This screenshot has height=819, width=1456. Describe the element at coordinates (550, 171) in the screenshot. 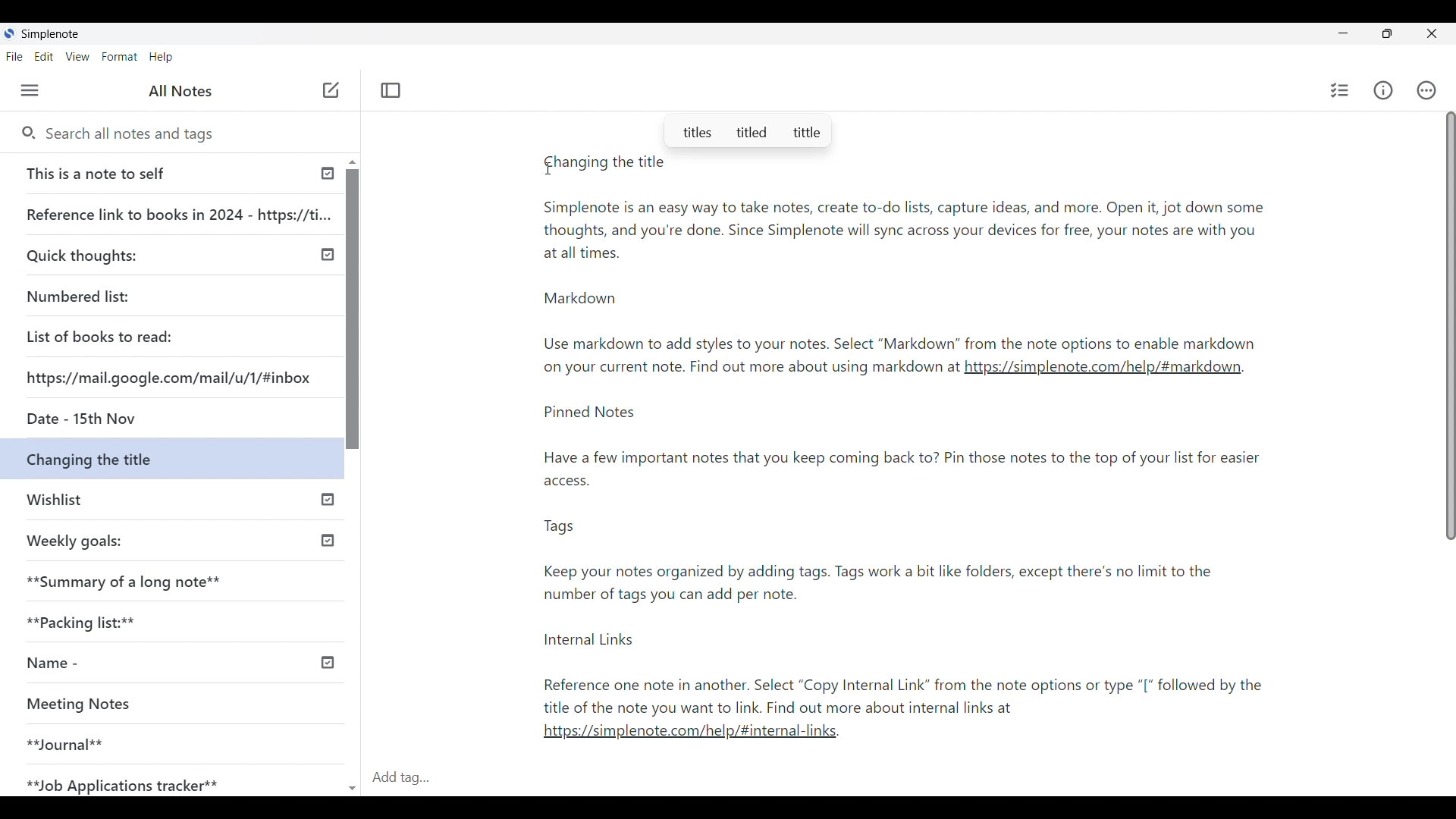

I see `cursor` at that location.